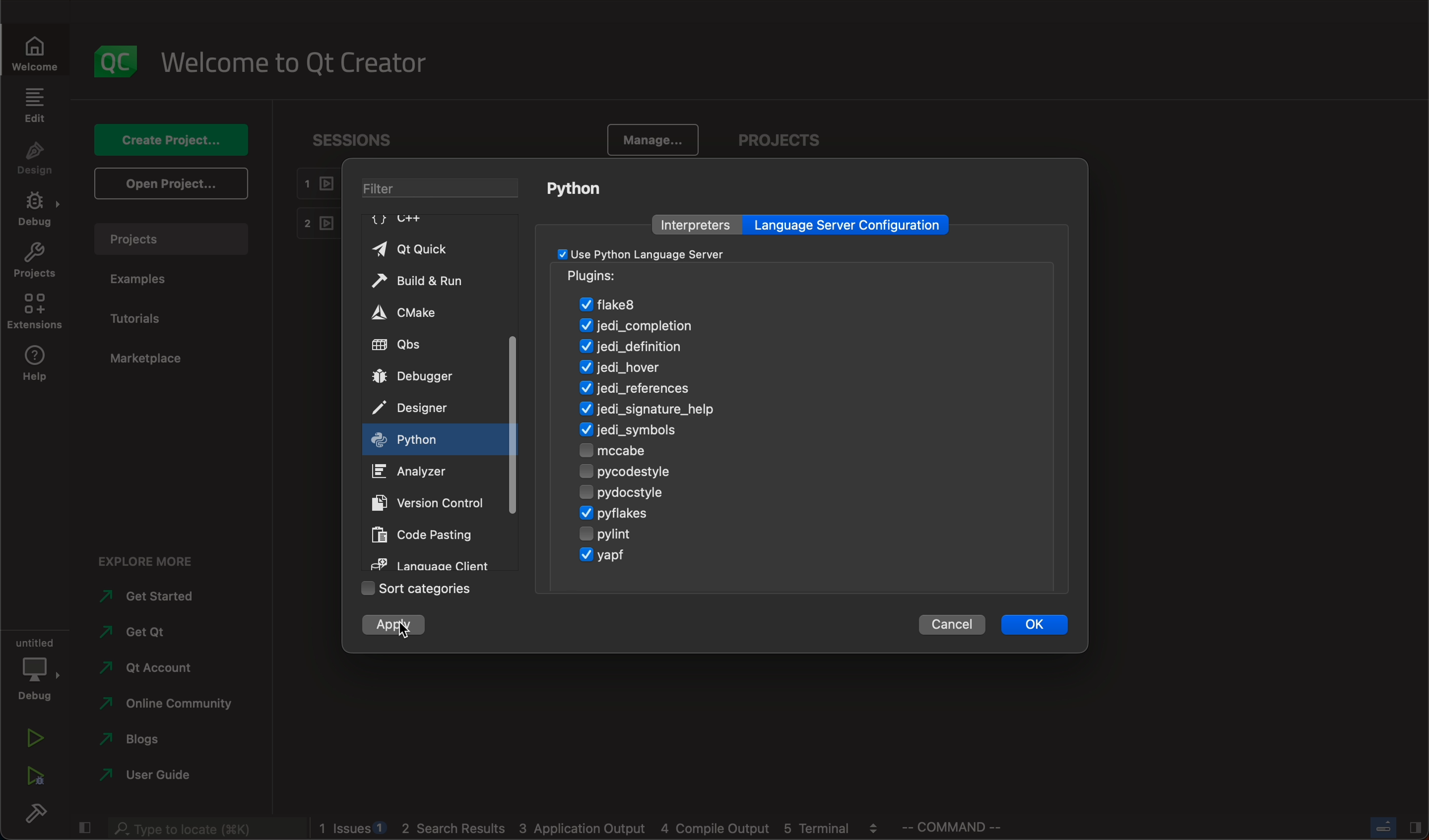  What do you see at coordinates (36, 210) in the screenshot?
I see `debug` at bounding box center [36, 210].